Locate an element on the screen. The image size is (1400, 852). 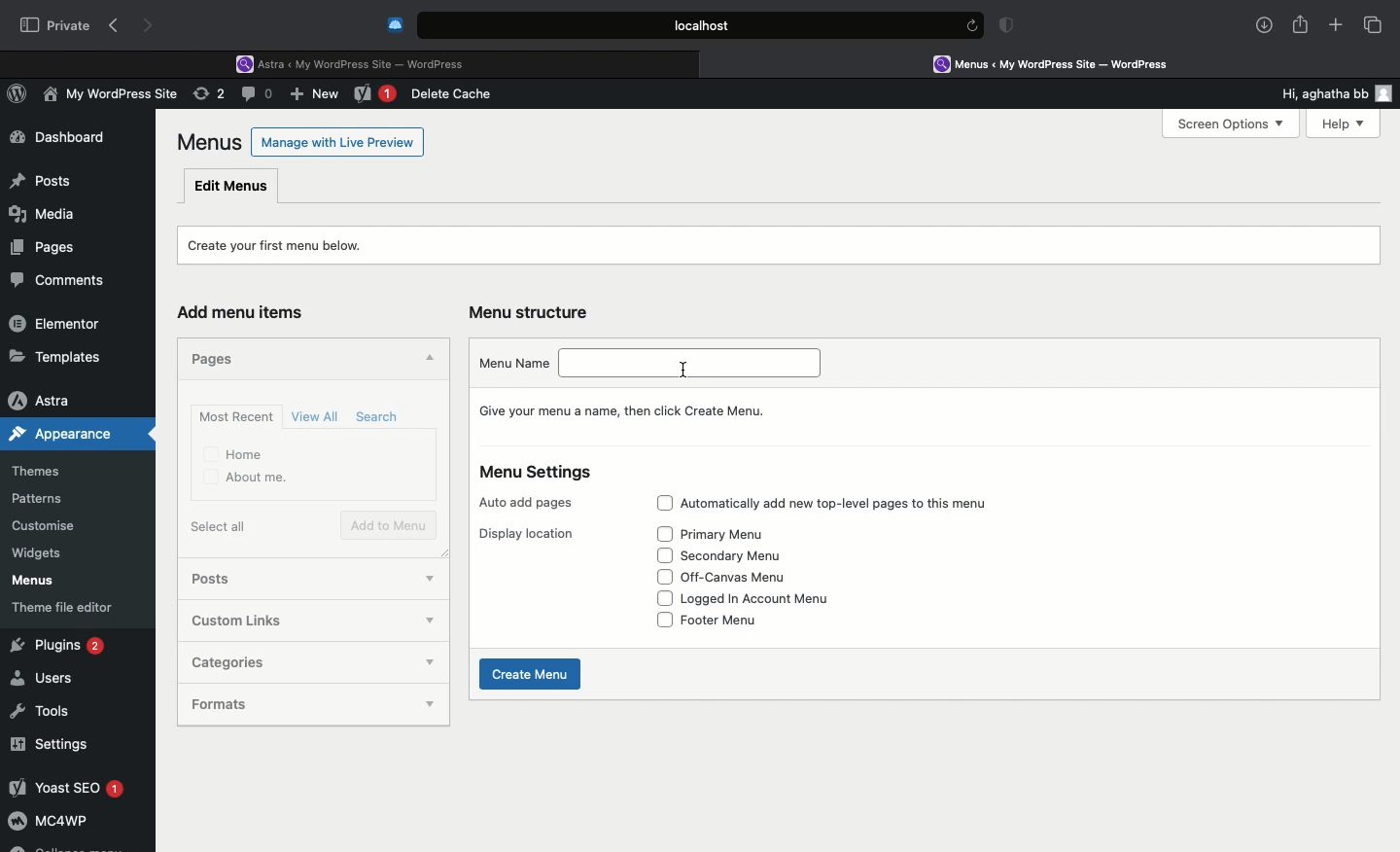
Check box is located at coordinates (664, 534).